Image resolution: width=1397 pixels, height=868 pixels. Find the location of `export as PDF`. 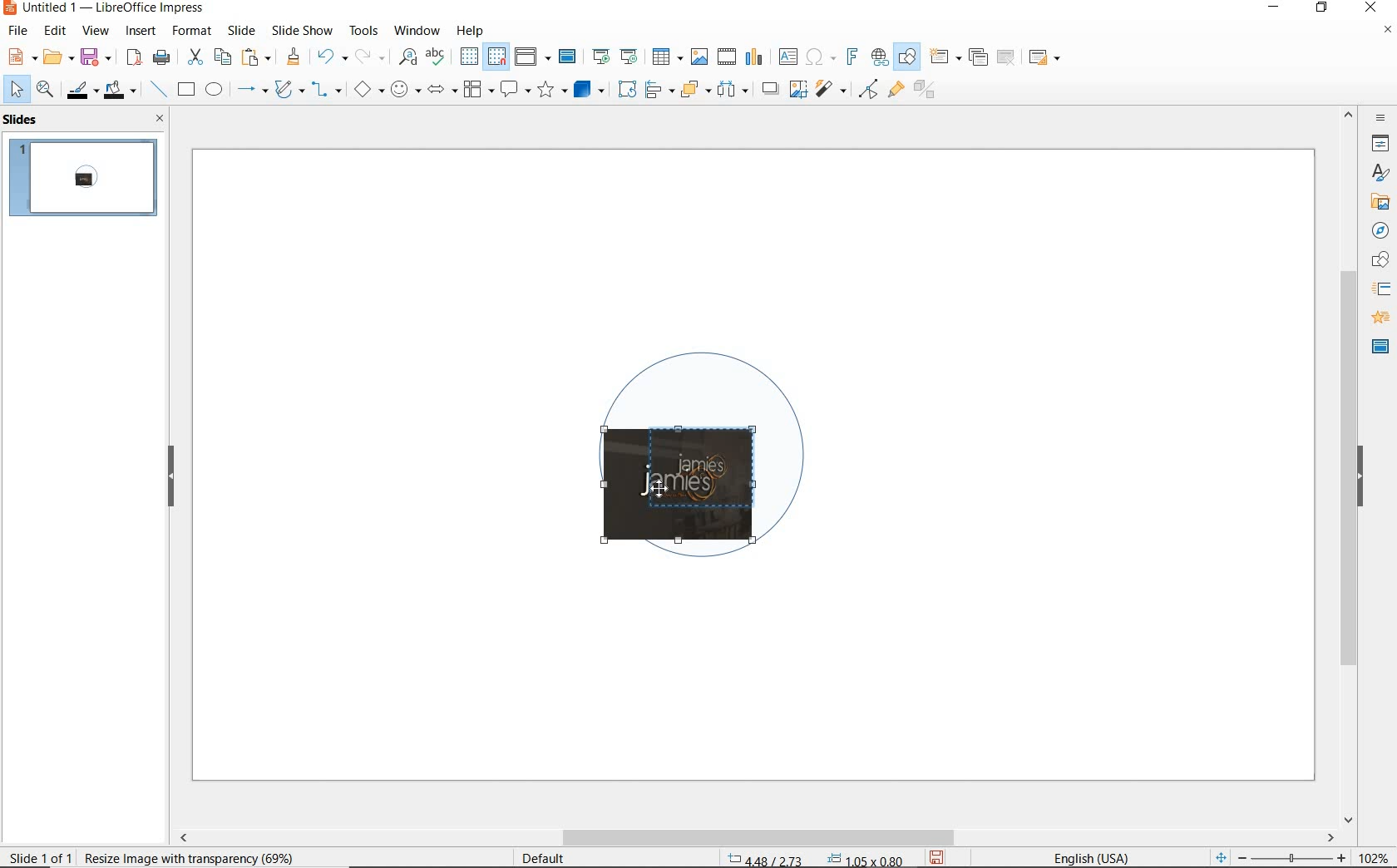

export as PDF is located at coordinates (134, 58).